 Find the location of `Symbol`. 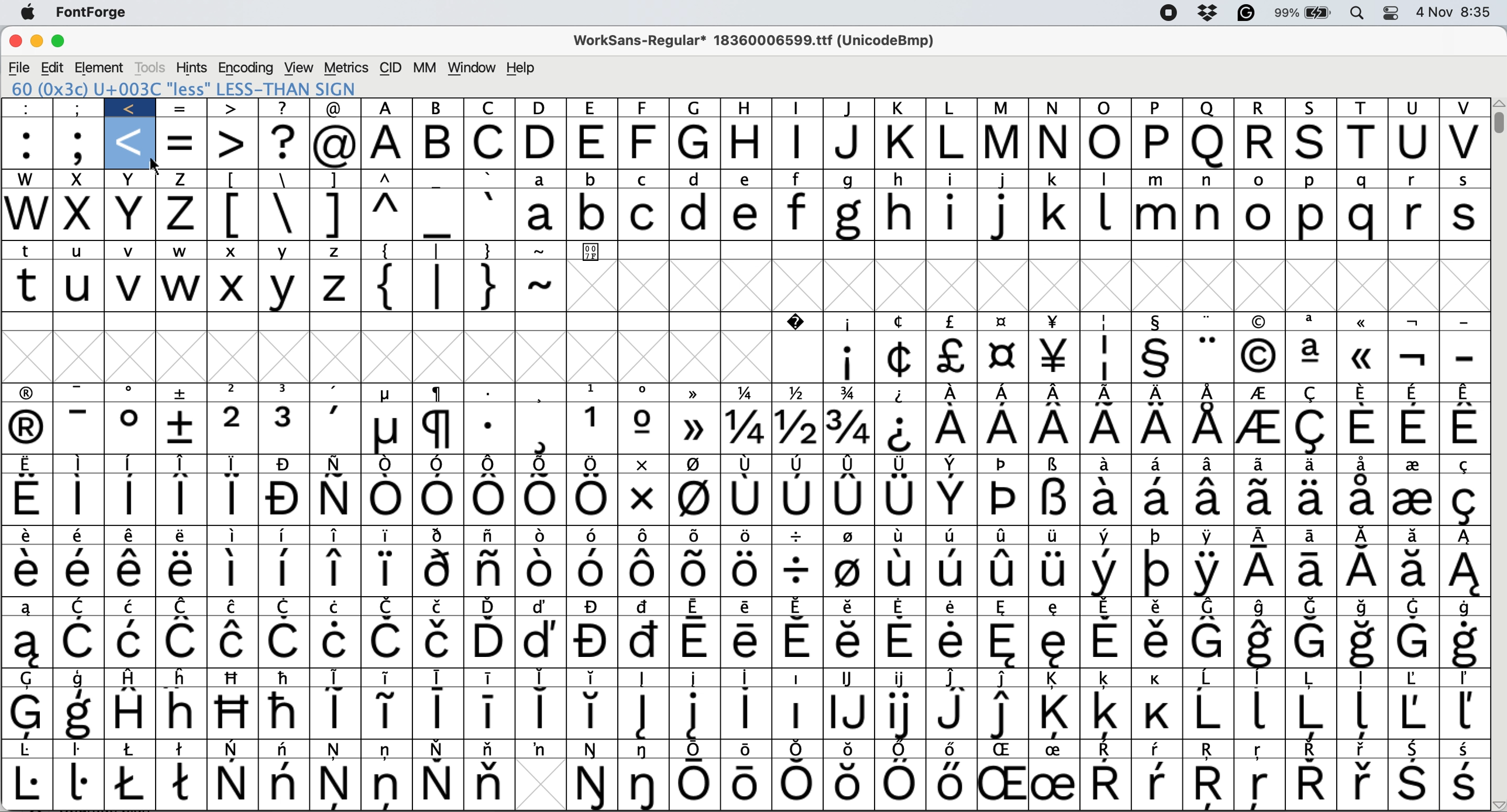

Symbol is located at coordinates (232, 750).